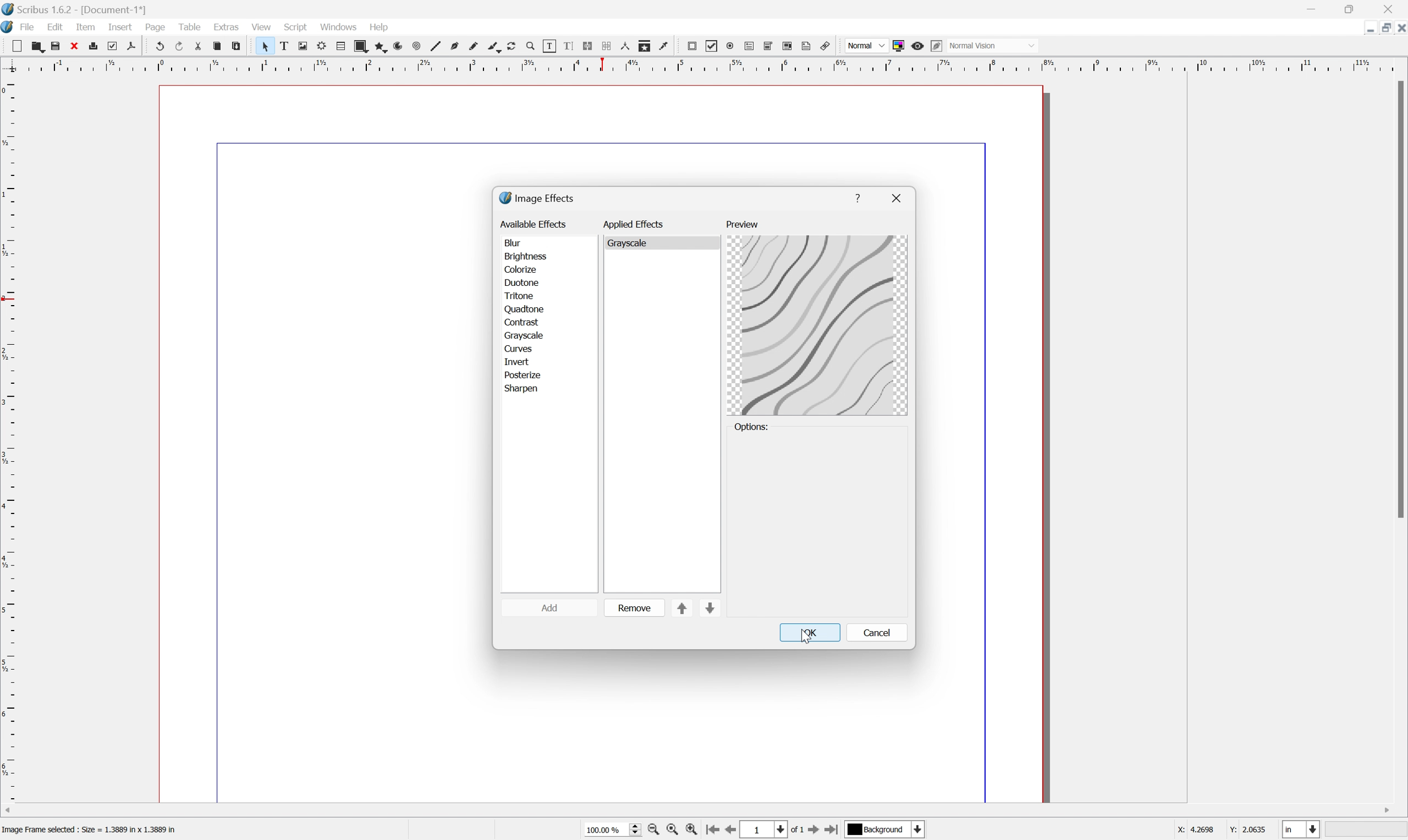 Image resolution: width=1408 pixels, height=840 pixels. What do you see at coordinates (228, 26) in the screenshot?
I see `Extras` at bounding box center [228, 26].